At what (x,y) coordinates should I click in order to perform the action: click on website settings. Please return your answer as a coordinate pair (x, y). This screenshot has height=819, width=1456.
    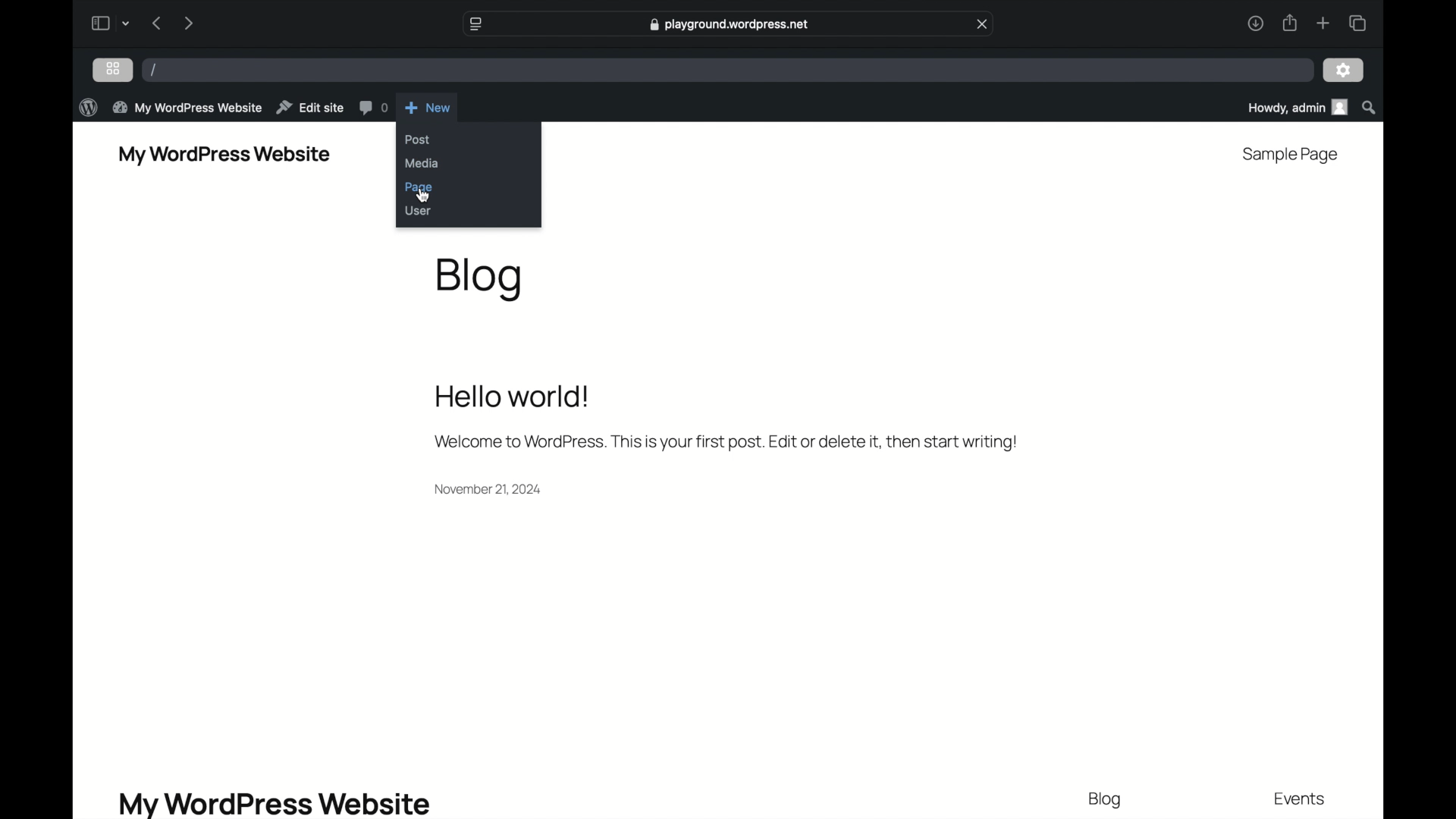
    Looking at the image, I should click on (475, 24).